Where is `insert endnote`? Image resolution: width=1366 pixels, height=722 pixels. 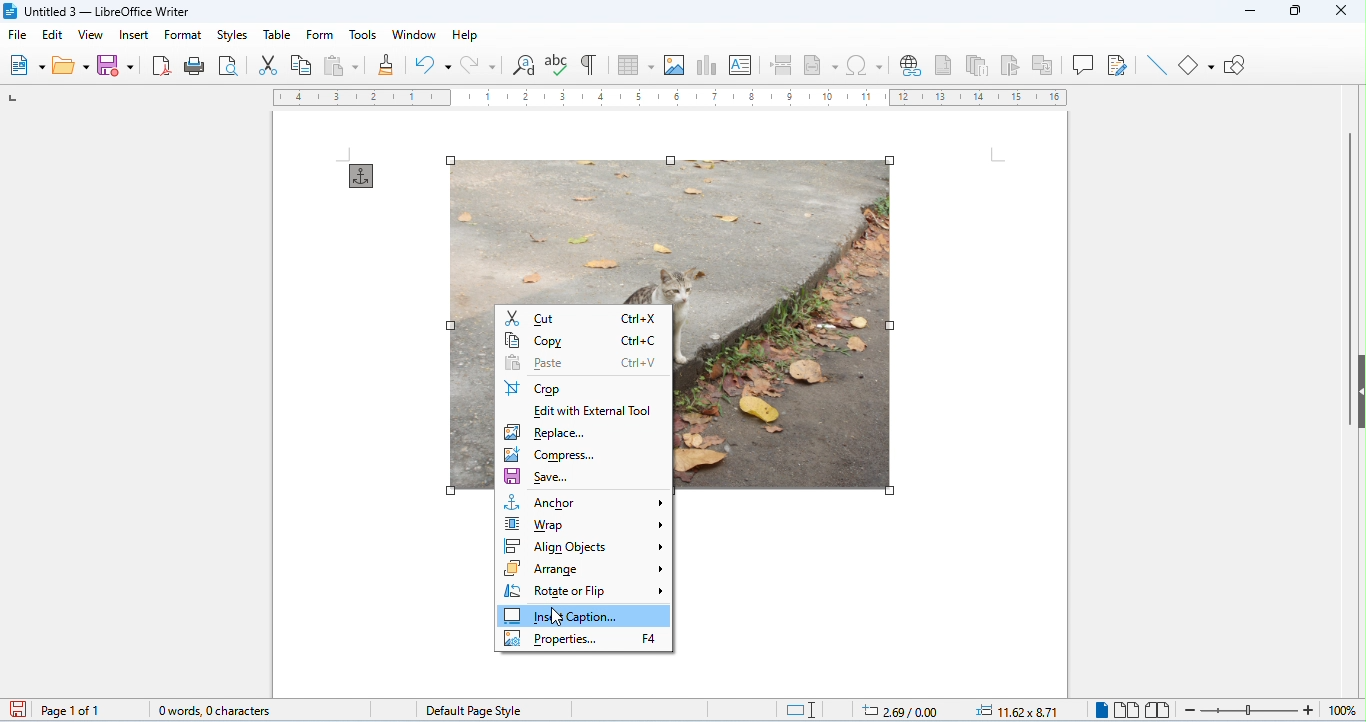
insert endnote is located at coordinates (981, 66).